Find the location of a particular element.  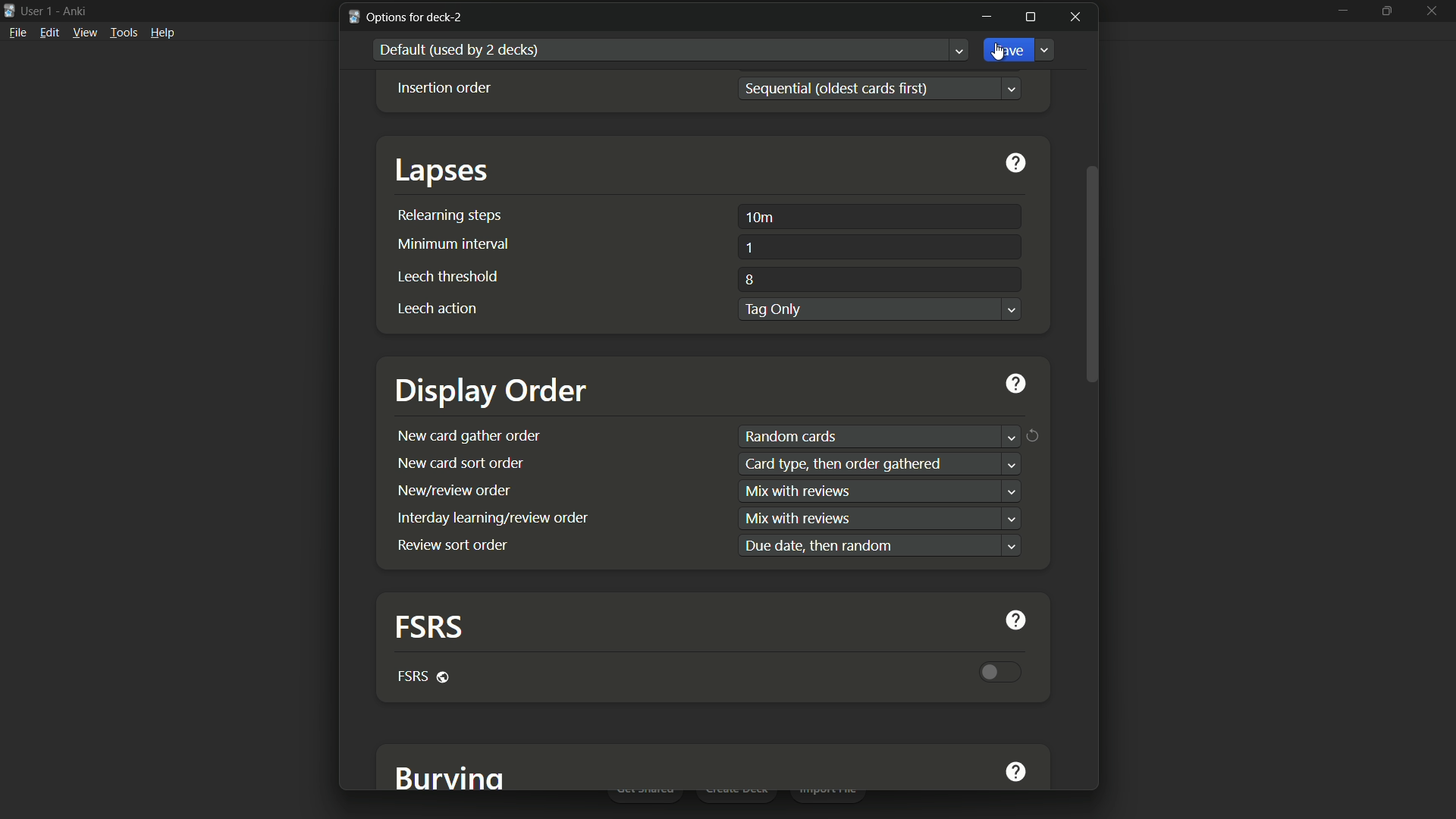

dropdown is located at coordinates (1011, 438).